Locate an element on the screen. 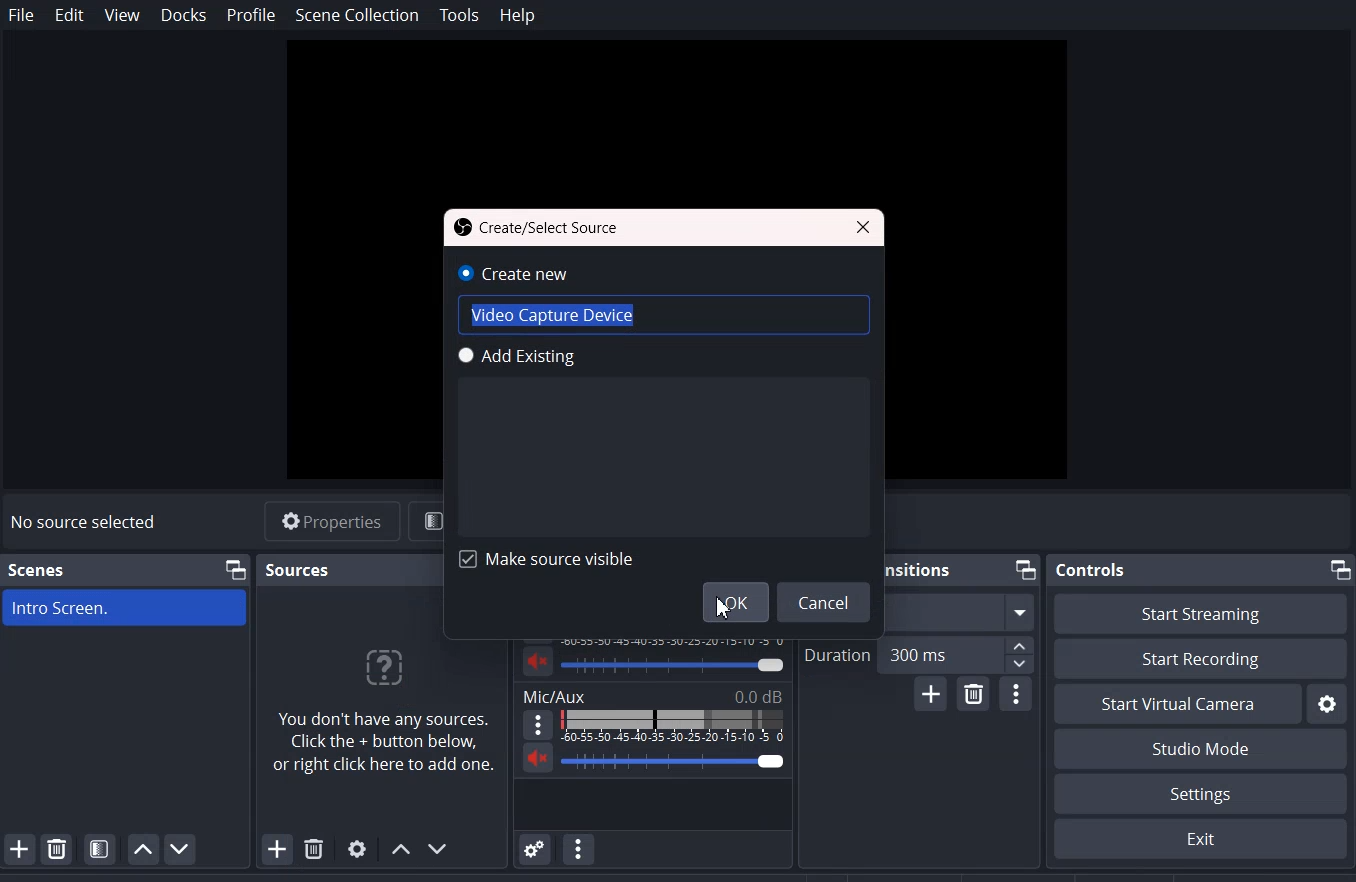 This screenshot has width=1356, height=882. Scene Collection is located at coordinates (358, 16).